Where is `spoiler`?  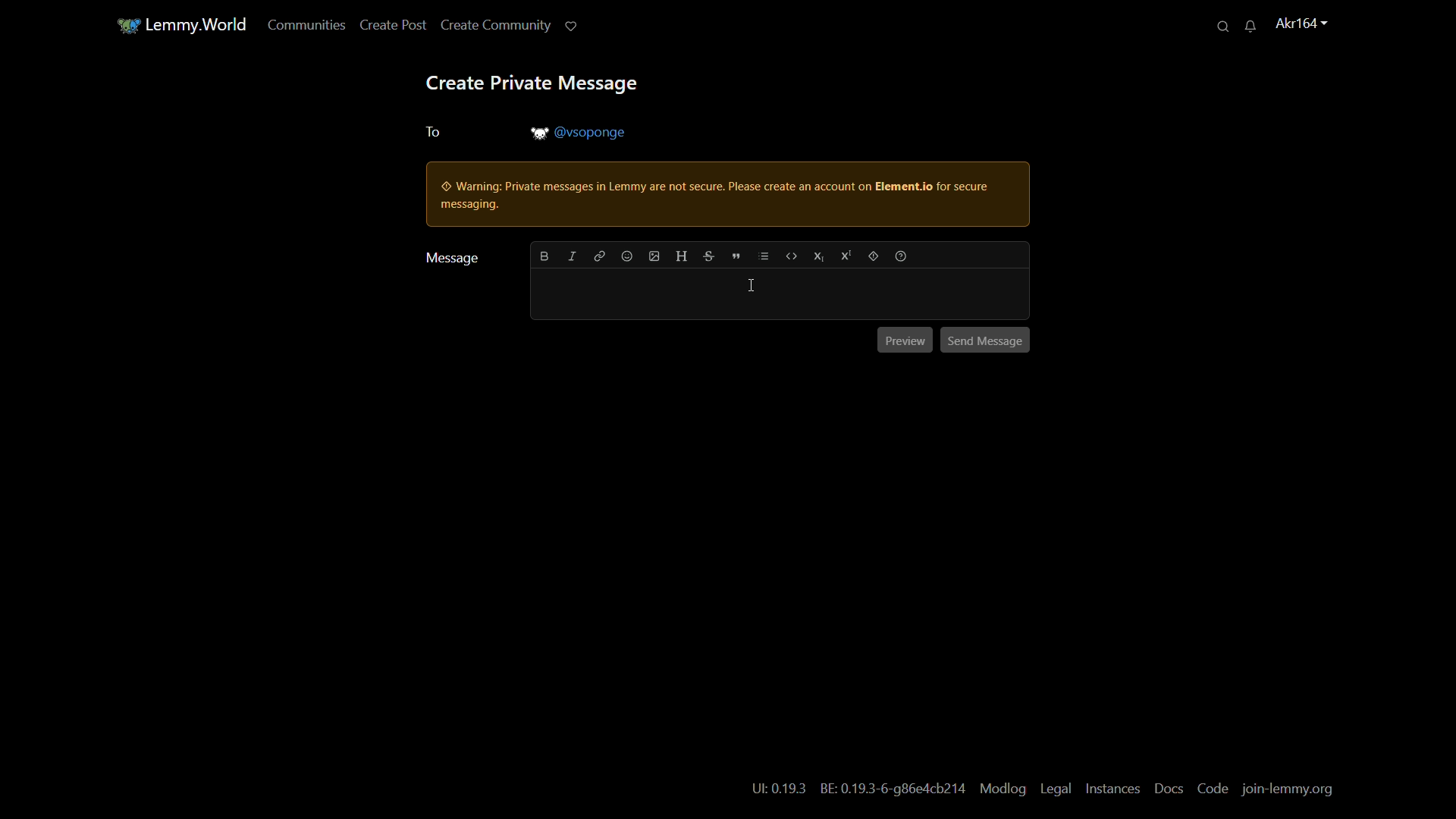
spoiler is located at coordinates (876, 256).